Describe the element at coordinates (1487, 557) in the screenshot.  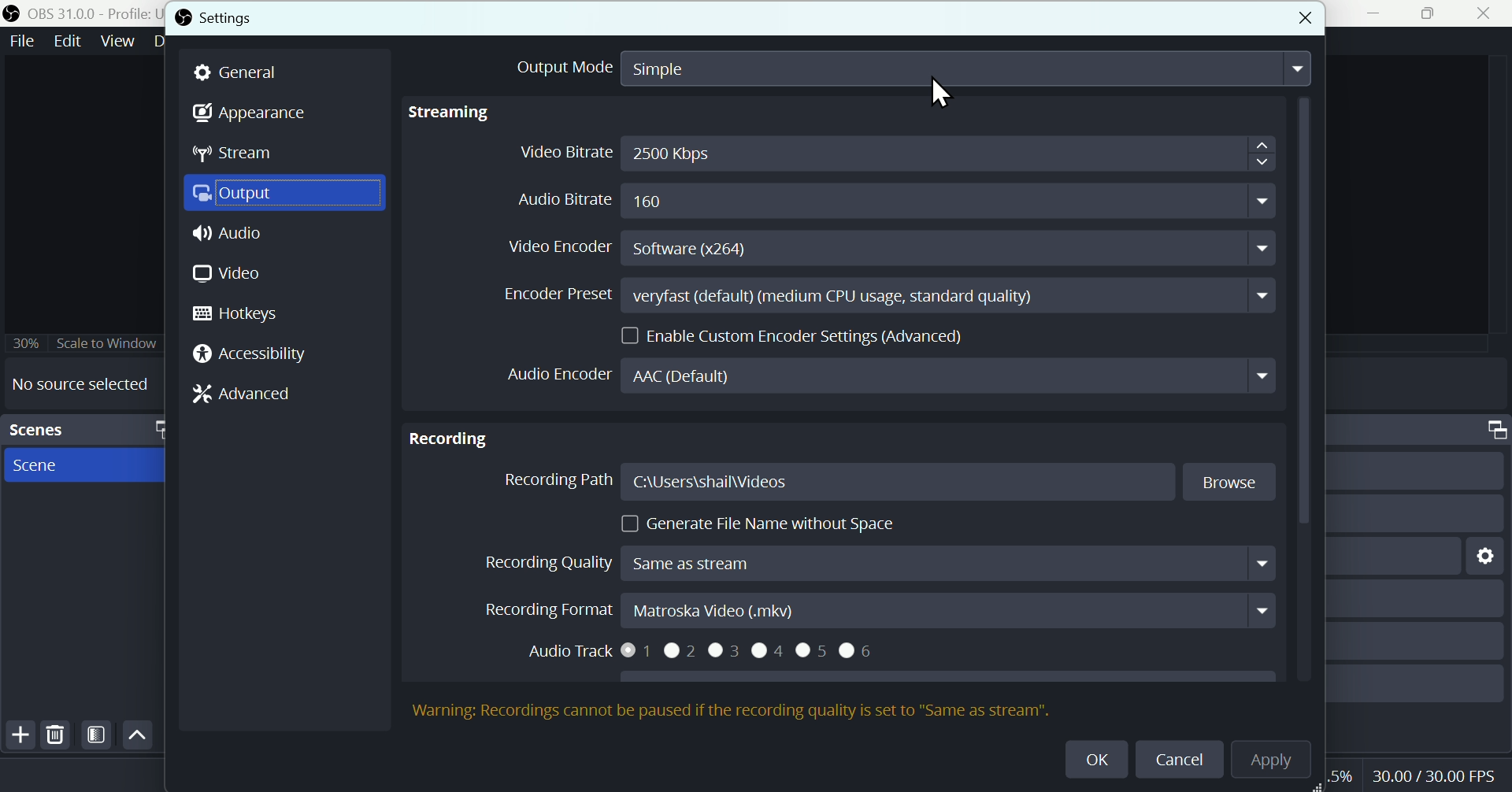
I see `settings` at that location.